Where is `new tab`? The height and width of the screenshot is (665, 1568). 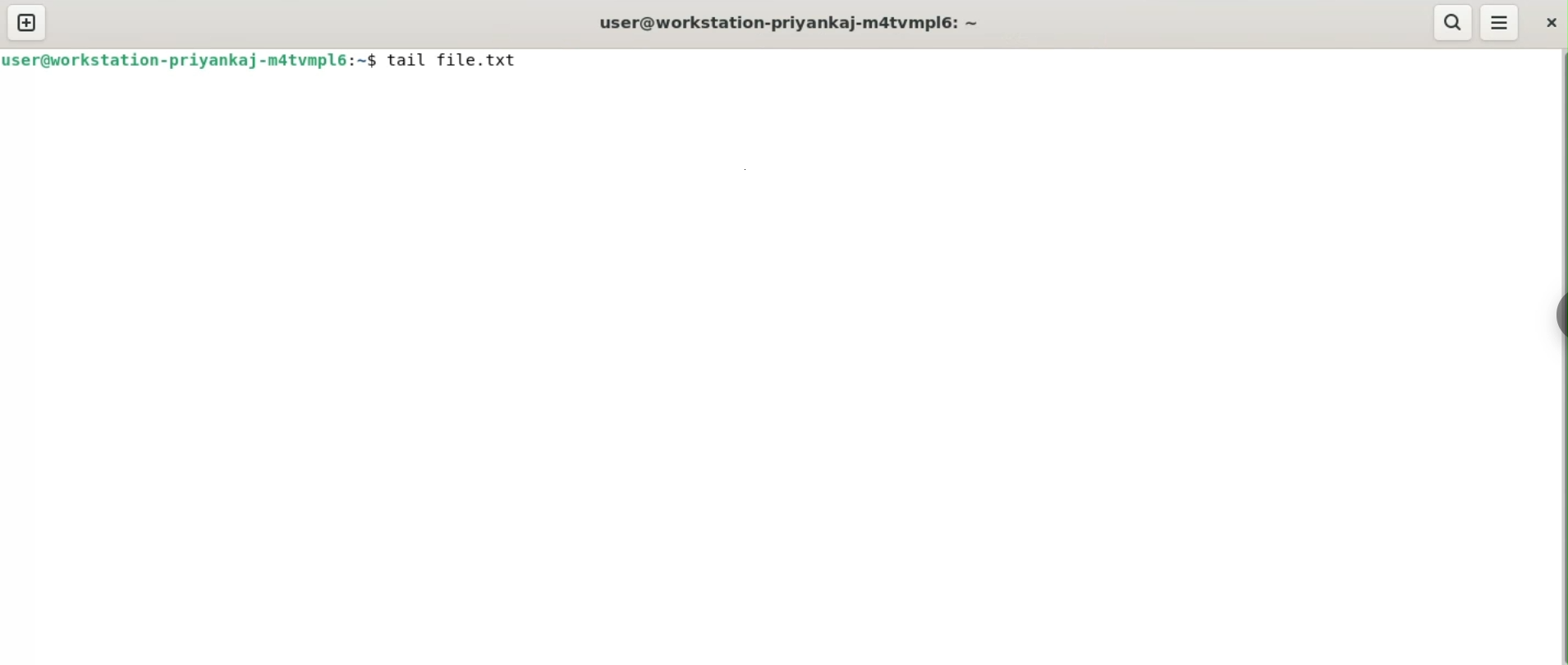 new tab is located at coordinates (27, 22).